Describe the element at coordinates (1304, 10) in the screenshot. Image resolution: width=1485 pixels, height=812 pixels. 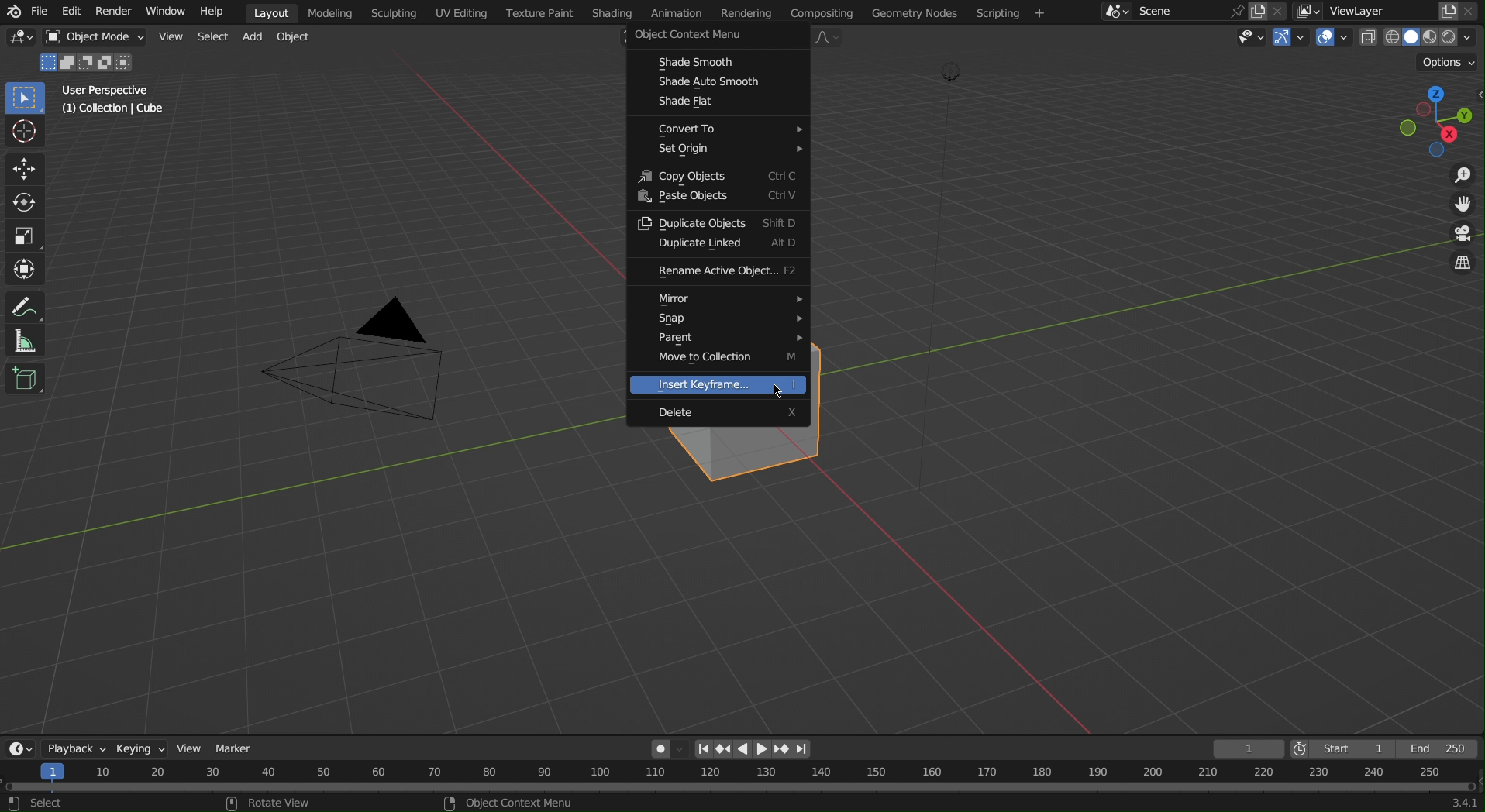
I see `More layers` at that location.